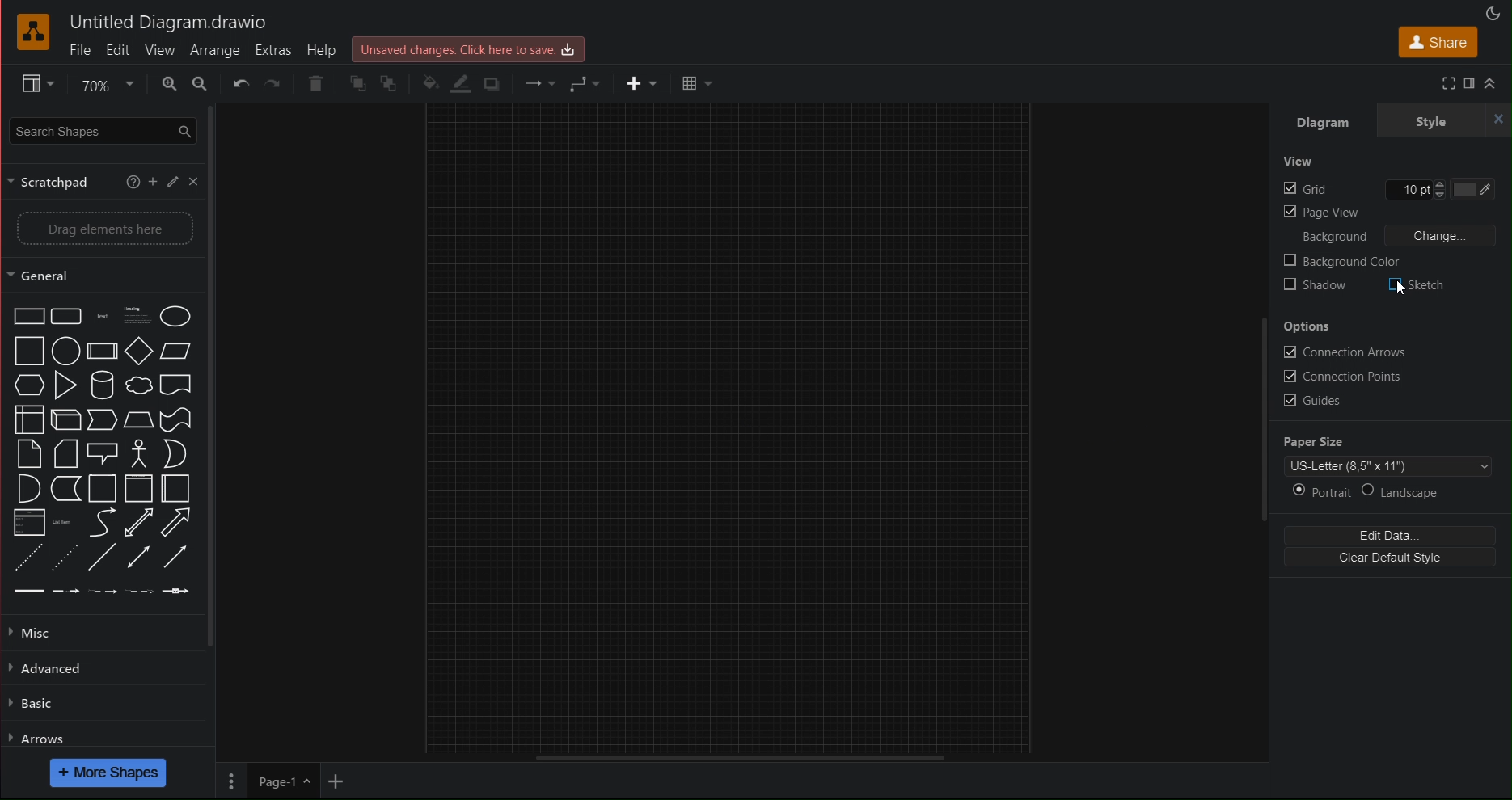  What do you see at coordinates (167, 22) in the screenshot?
I see `Untitled Diagram.drawio` at bounding box center [167, 22].